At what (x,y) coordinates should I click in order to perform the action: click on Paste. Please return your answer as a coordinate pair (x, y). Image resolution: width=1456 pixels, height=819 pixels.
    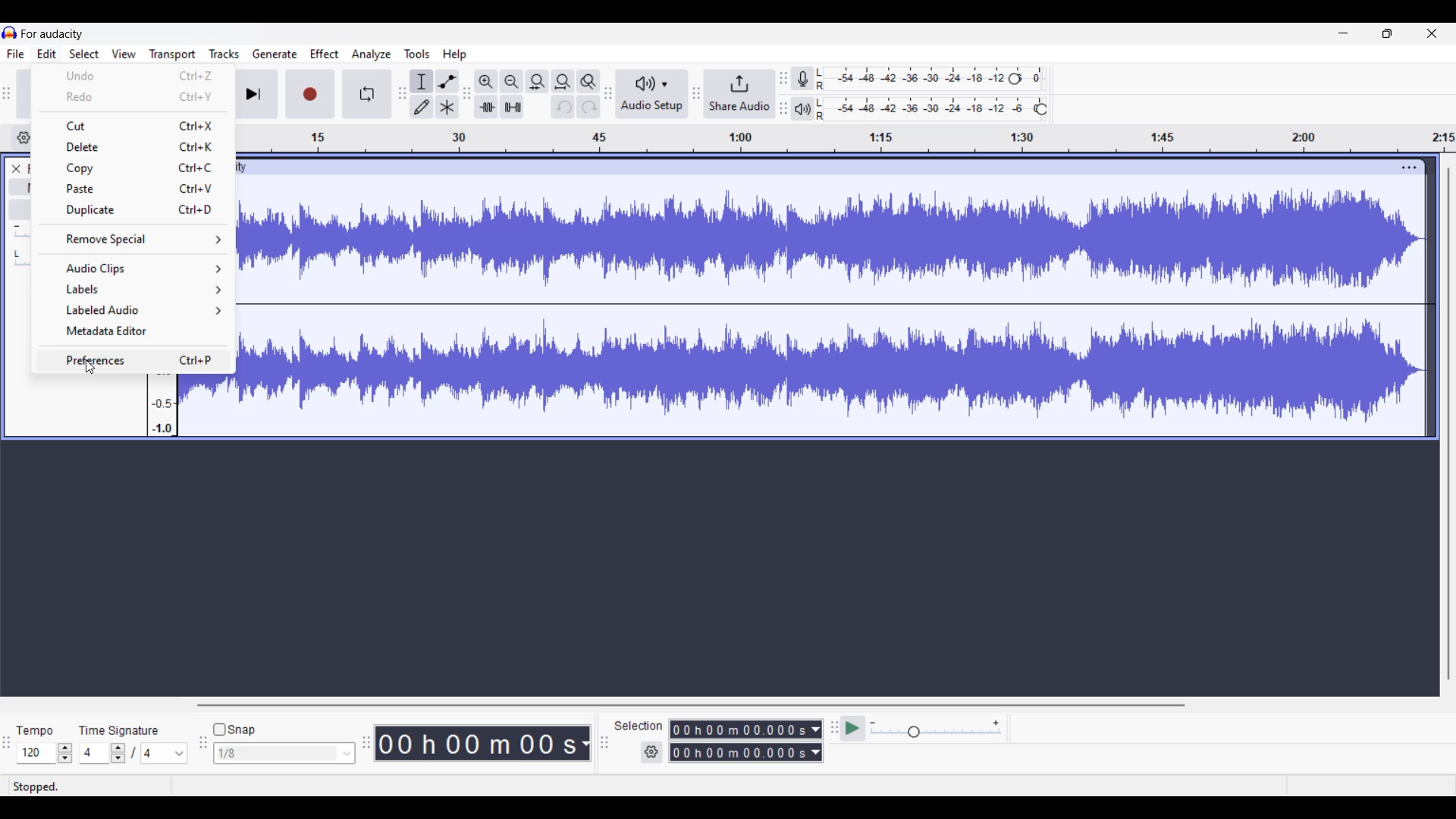
    Looking at the image, I should click on (132, 189).